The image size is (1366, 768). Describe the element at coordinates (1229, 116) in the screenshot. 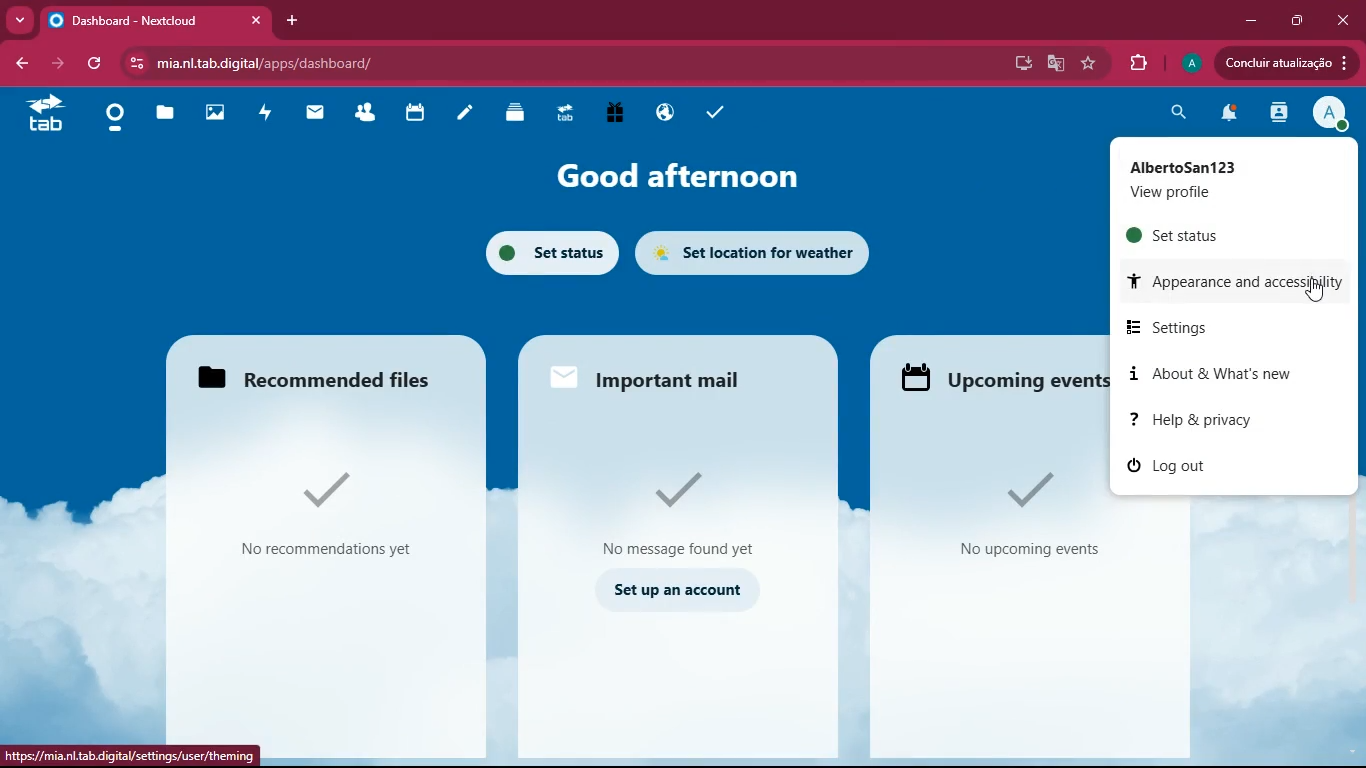

I see `notifications` at that location.